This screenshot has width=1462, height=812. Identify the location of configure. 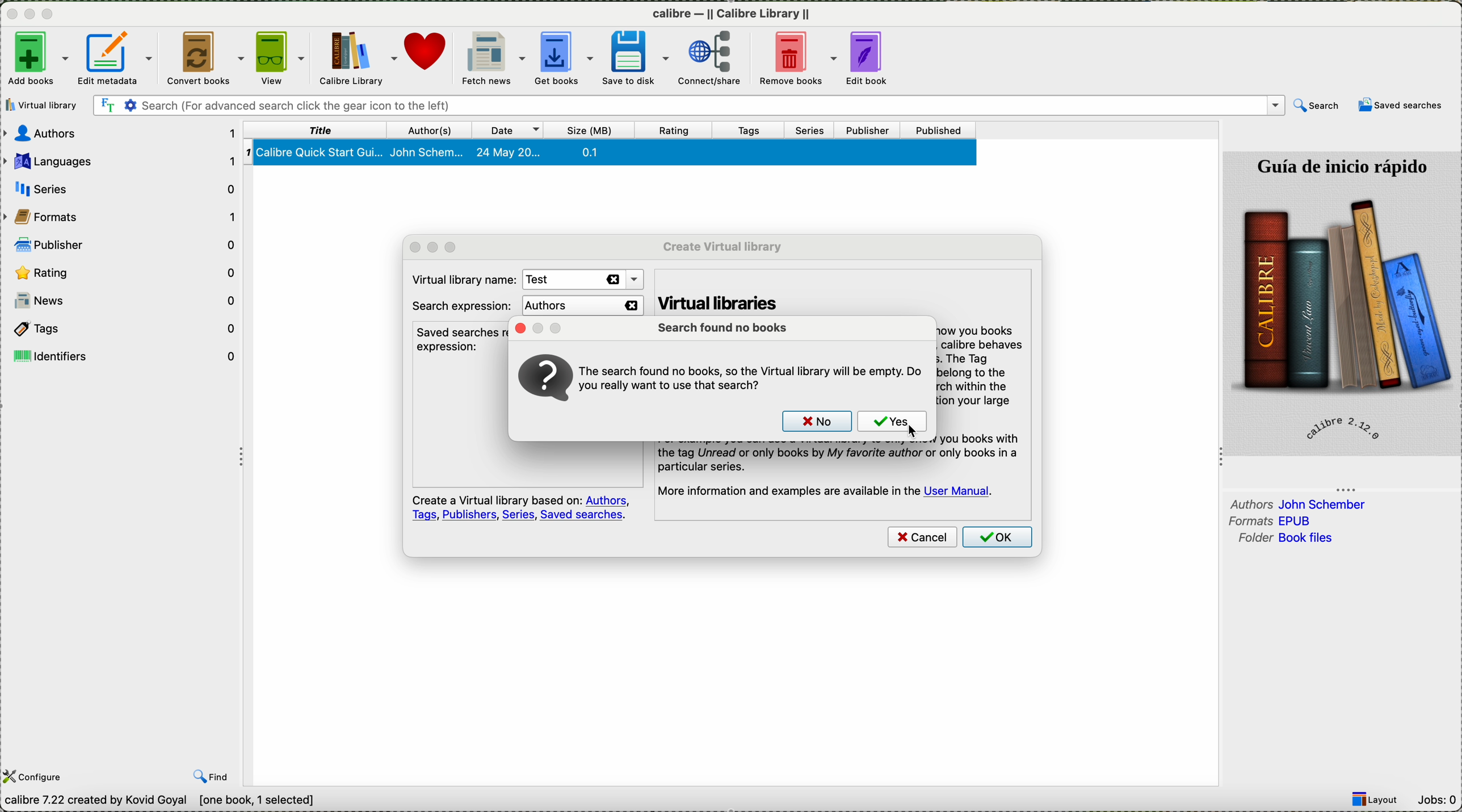
(36, 776).